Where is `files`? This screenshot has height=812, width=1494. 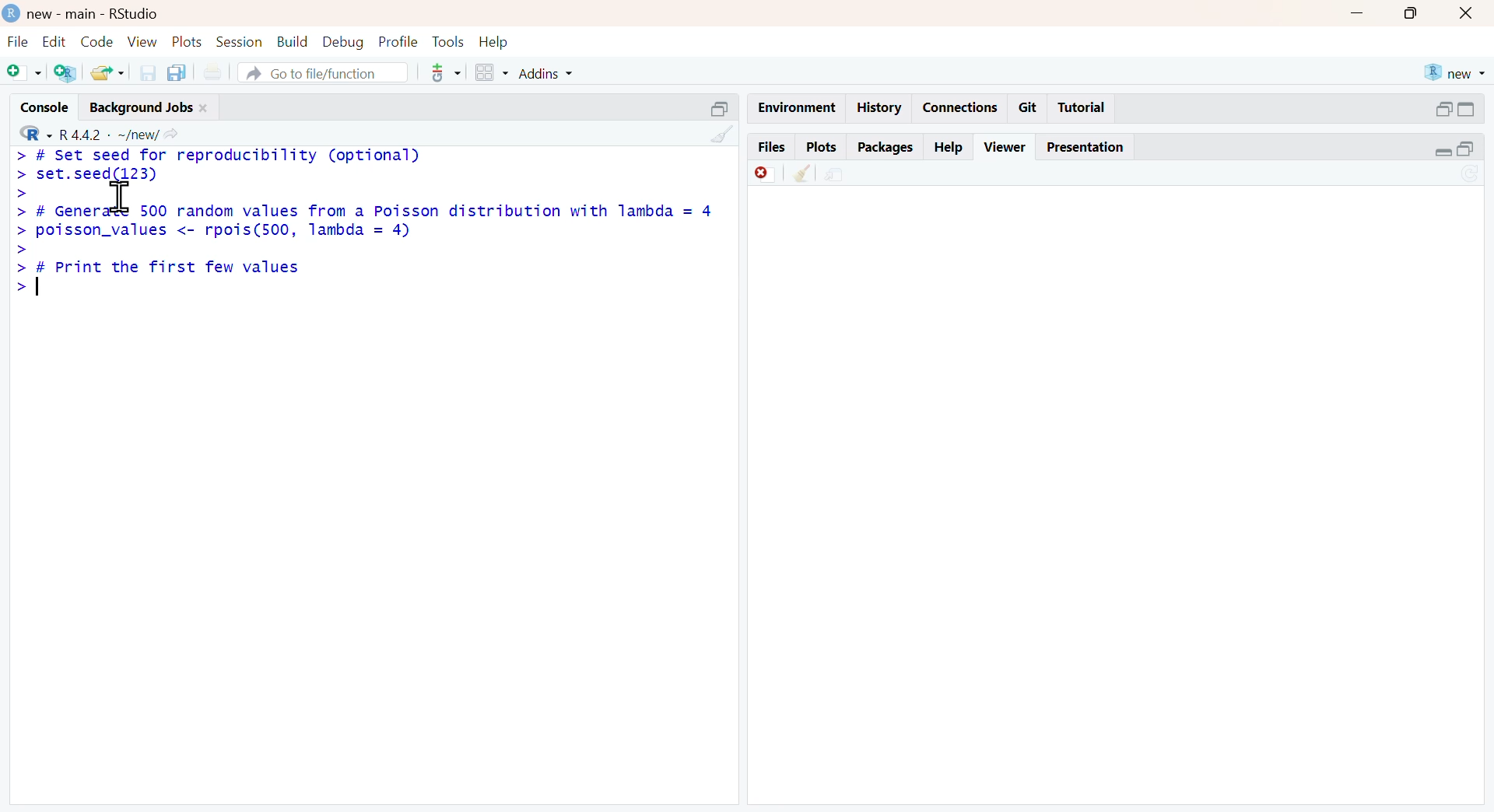 files is located at coordinates (773, 145).